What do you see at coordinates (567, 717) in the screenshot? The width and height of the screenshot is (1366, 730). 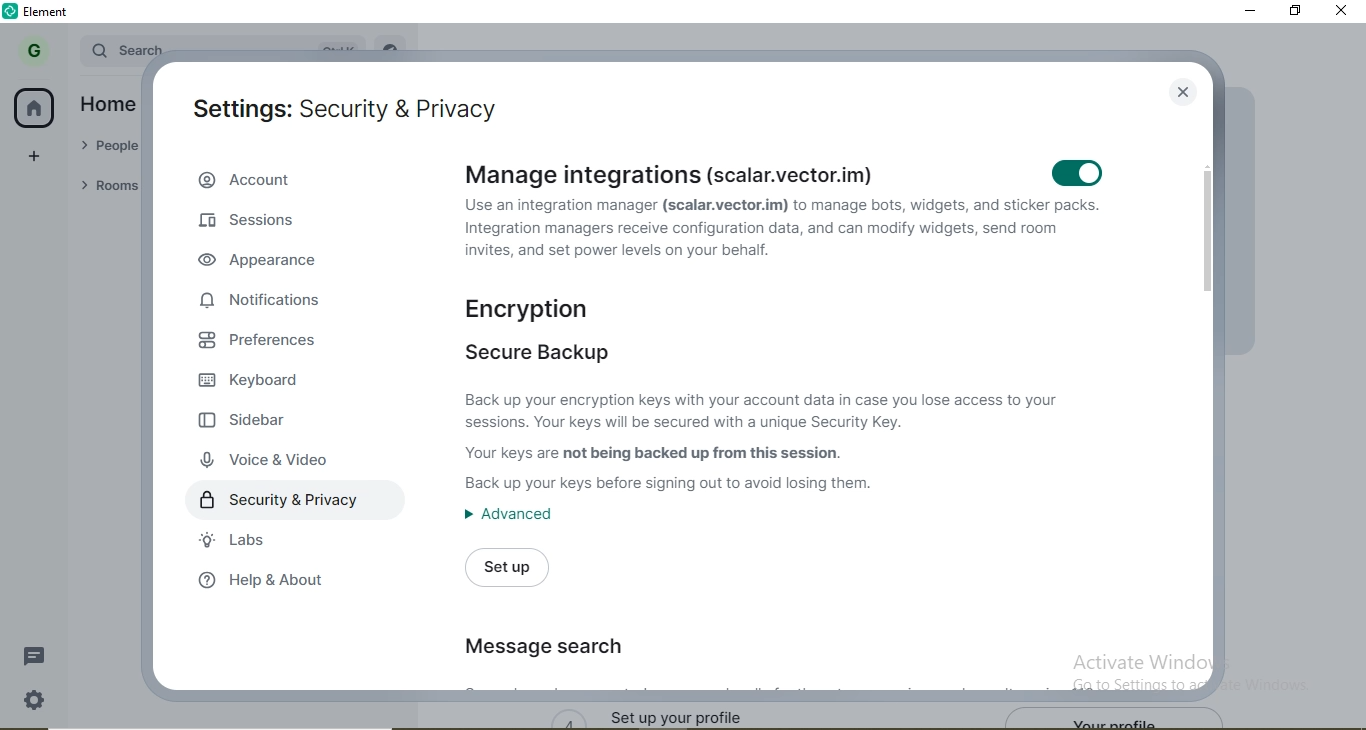 I see `4` at bounding box center [567, 717].